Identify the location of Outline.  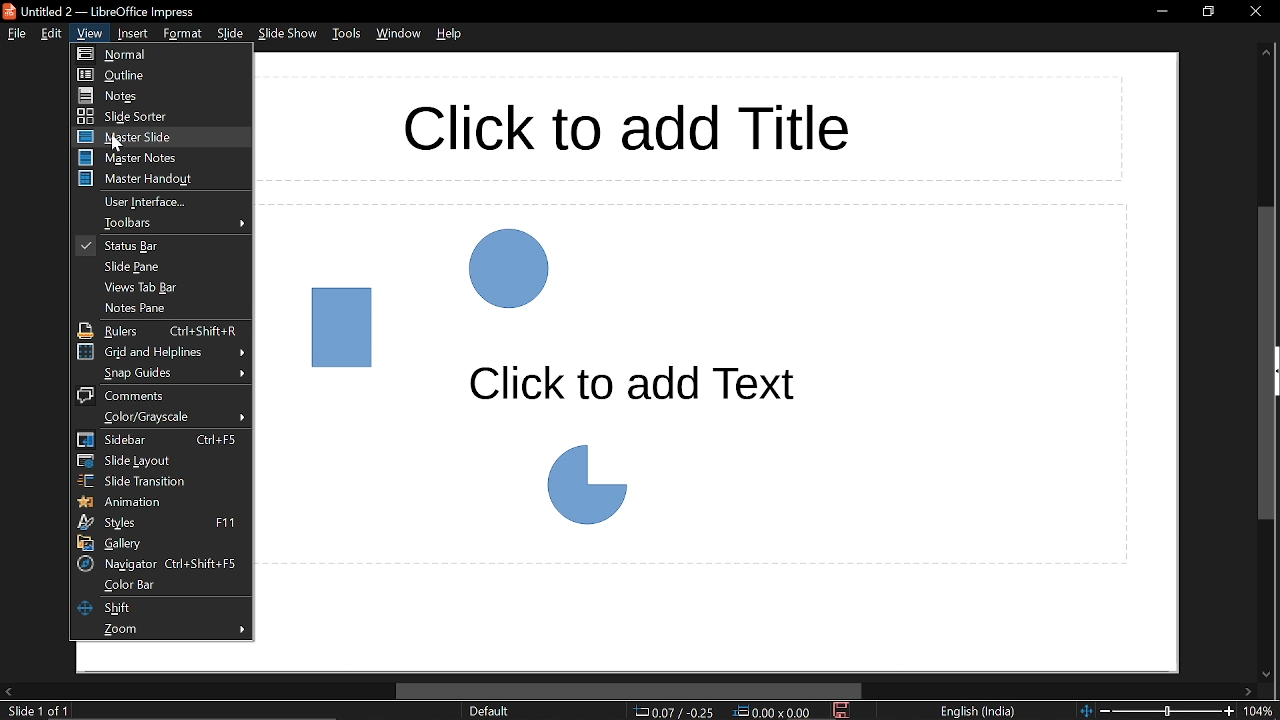
(152, 74).